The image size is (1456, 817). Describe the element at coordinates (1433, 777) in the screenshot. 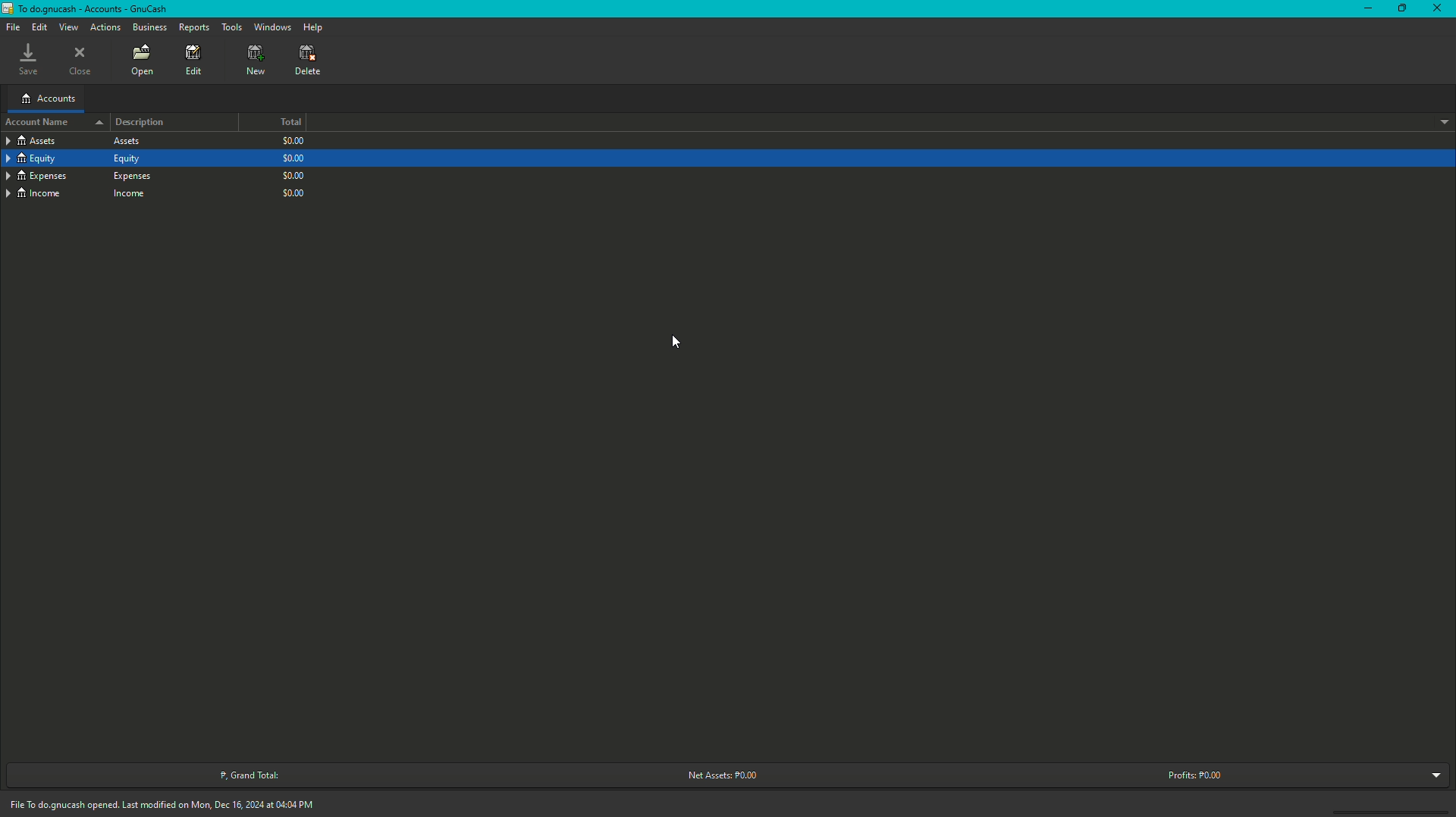

I see `Drop down` at that location.